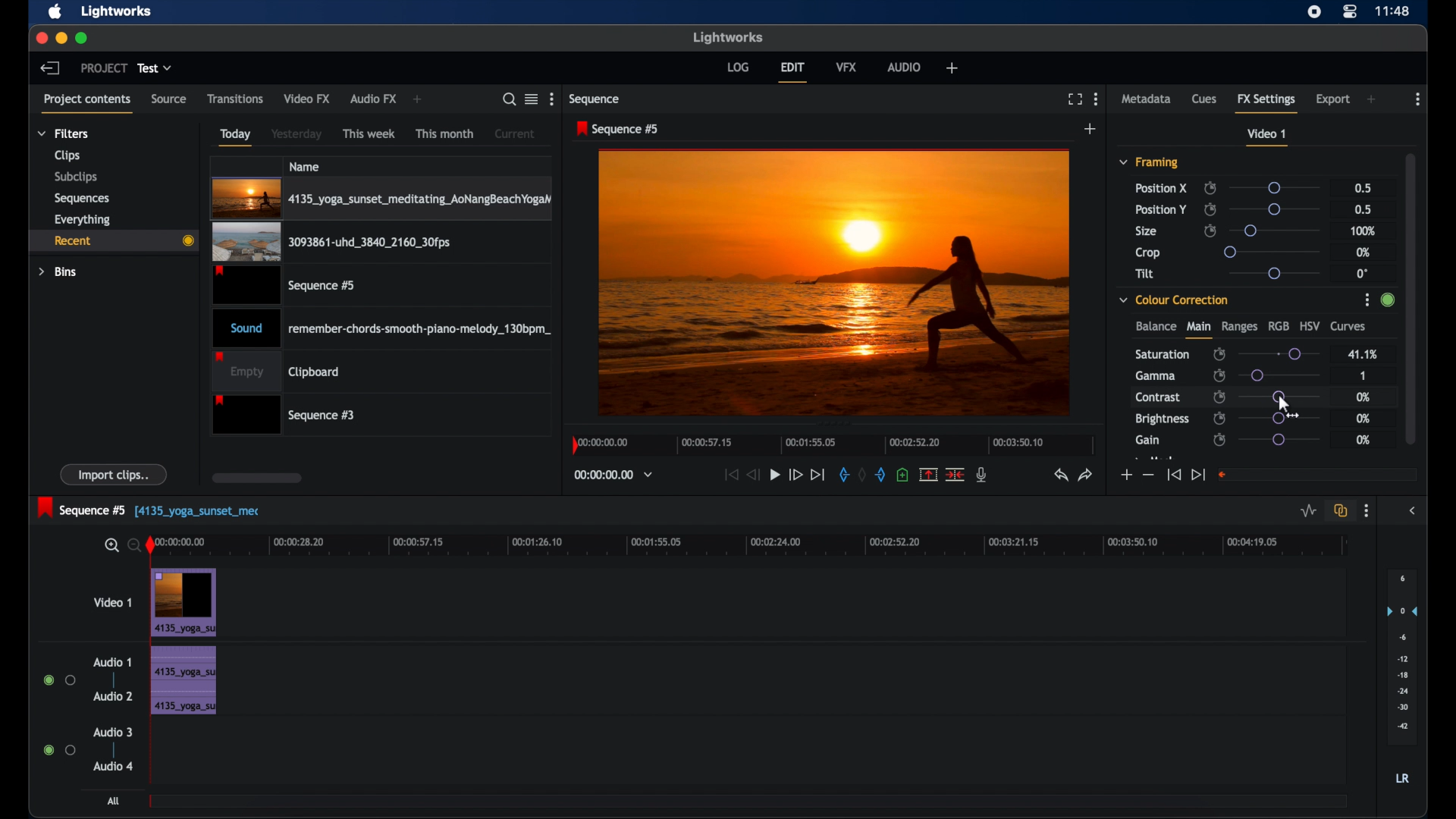 The height and width of the screenshot is (819, 1456). I want to click on contrast, so click(1159, 398).